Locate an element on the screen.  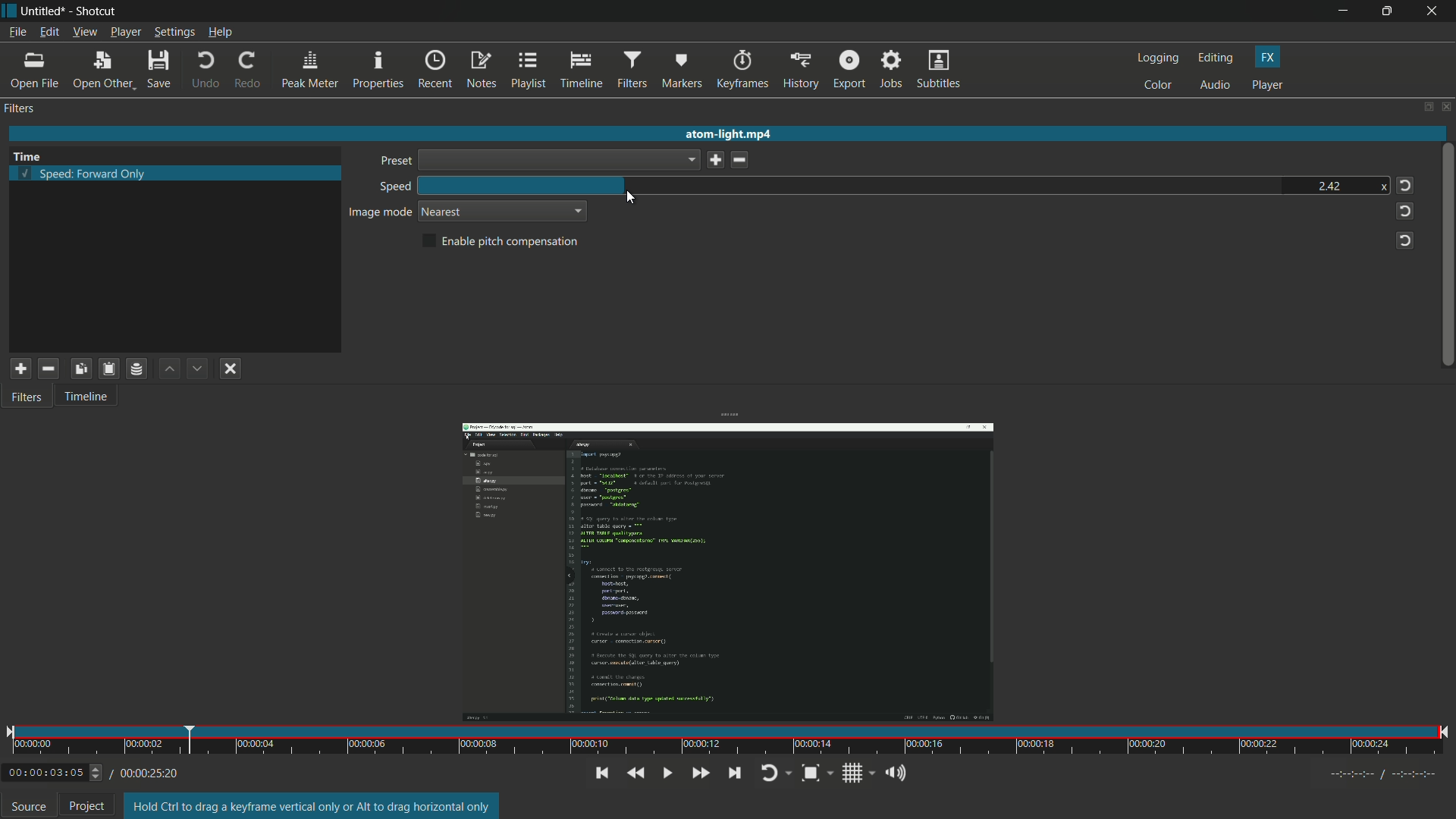
project is located at coordinates (87, 806).